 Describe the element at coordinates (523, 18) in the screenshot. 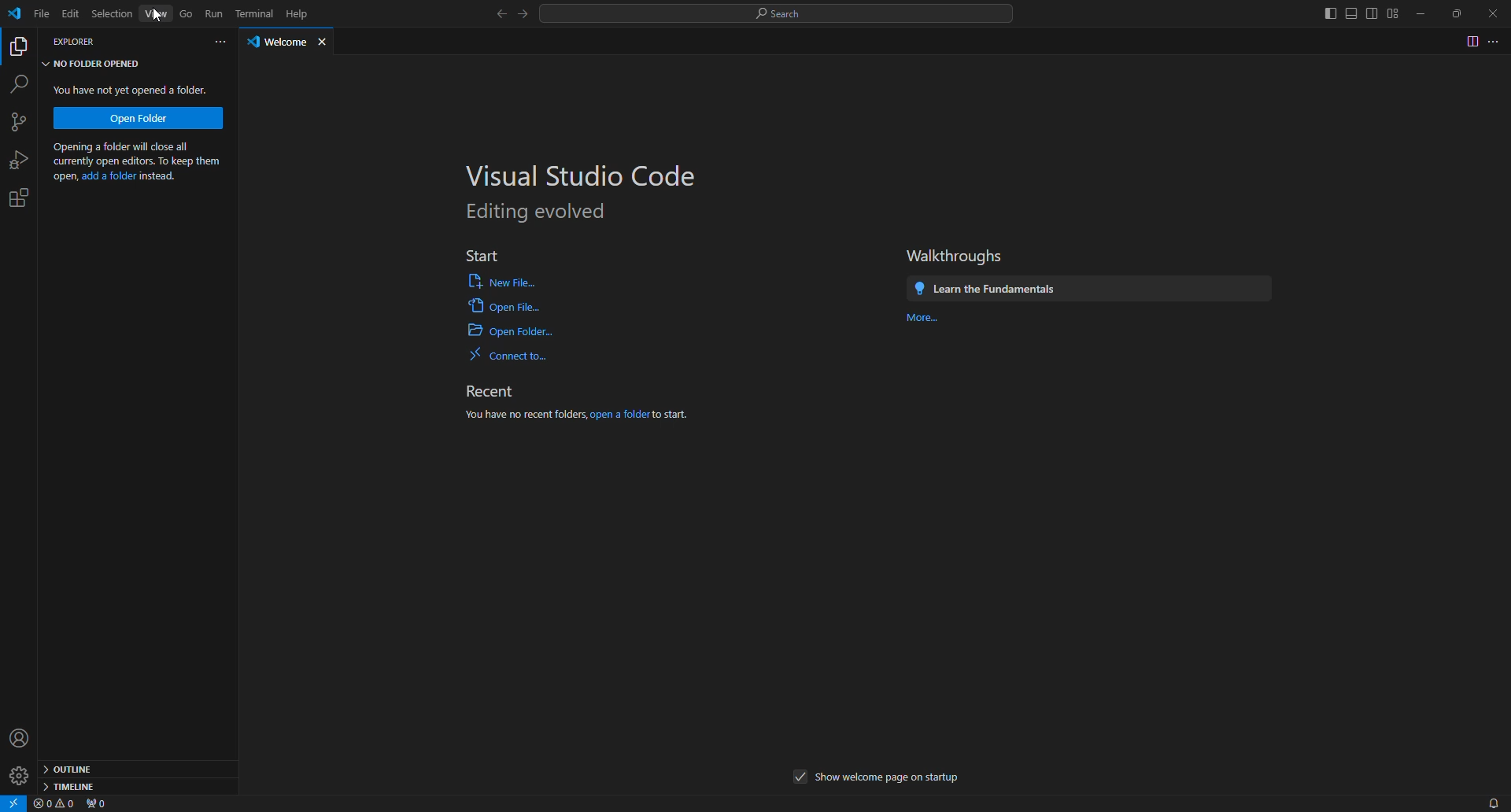

I see `next` at that location.